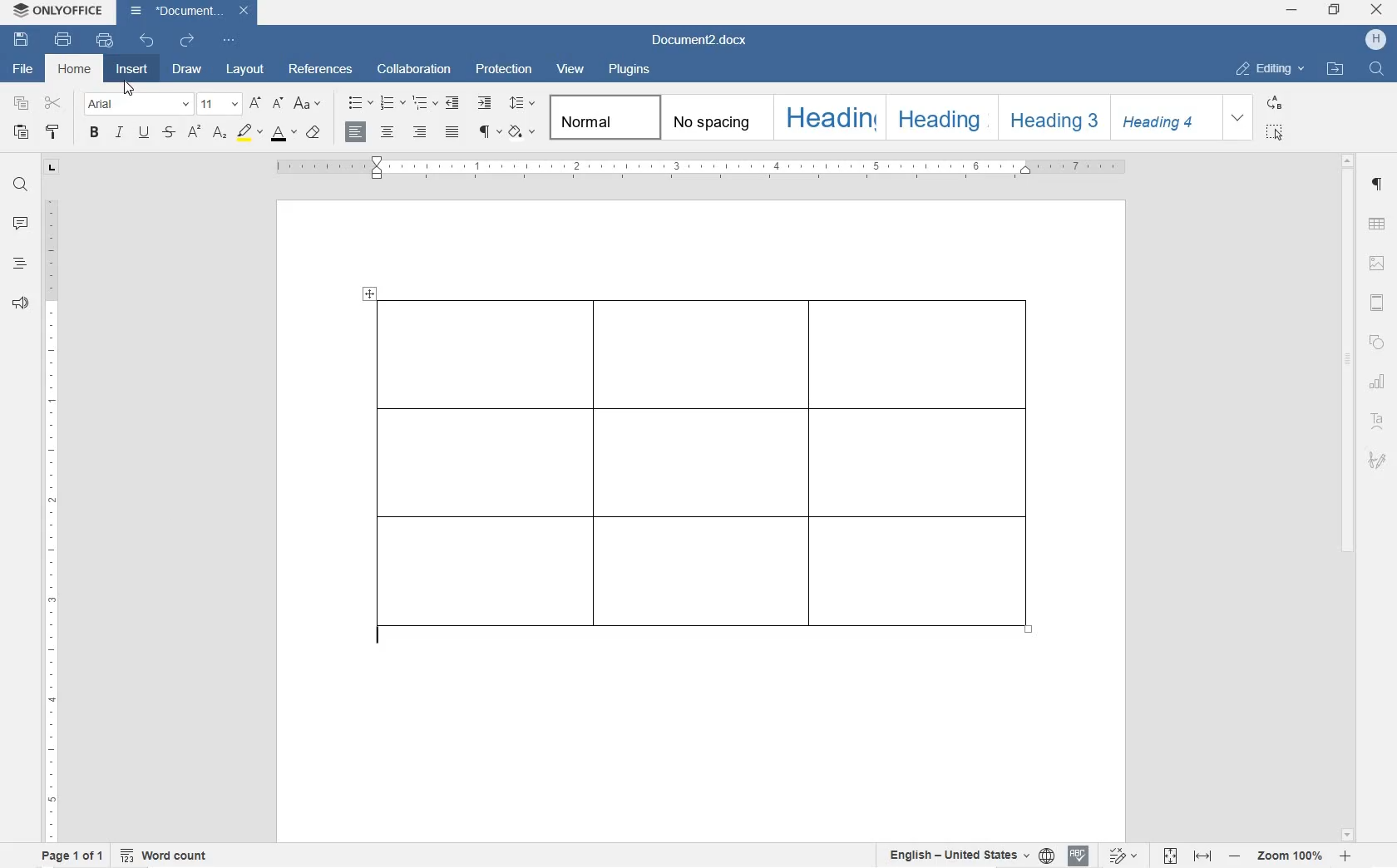 This screenshot has height=868, width=1397. Describe the element at coordinates (506, 70) in the screenshot. I see `protection` at that location.